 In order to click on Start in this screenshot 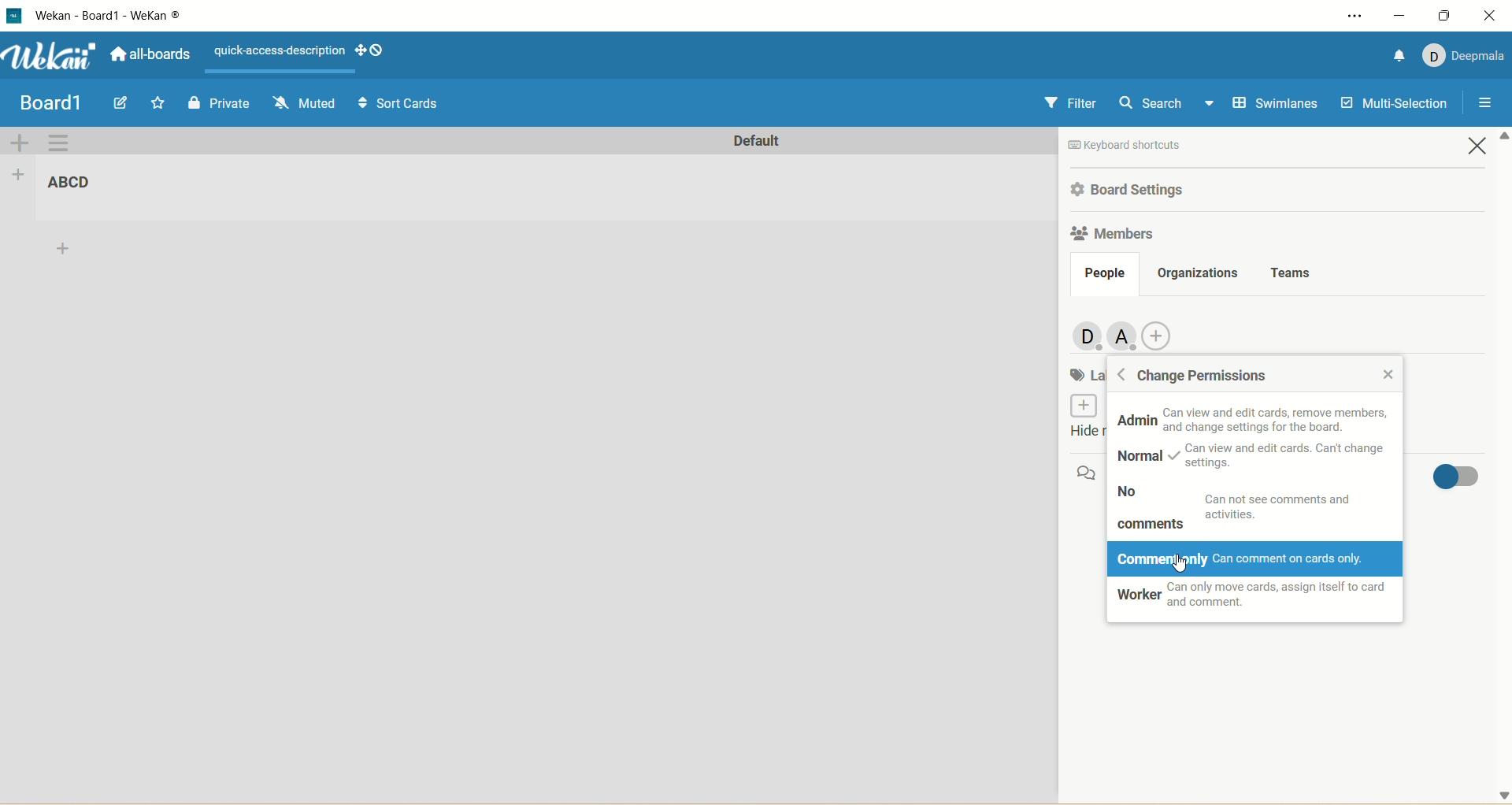, I will do `click(160, 102)`.